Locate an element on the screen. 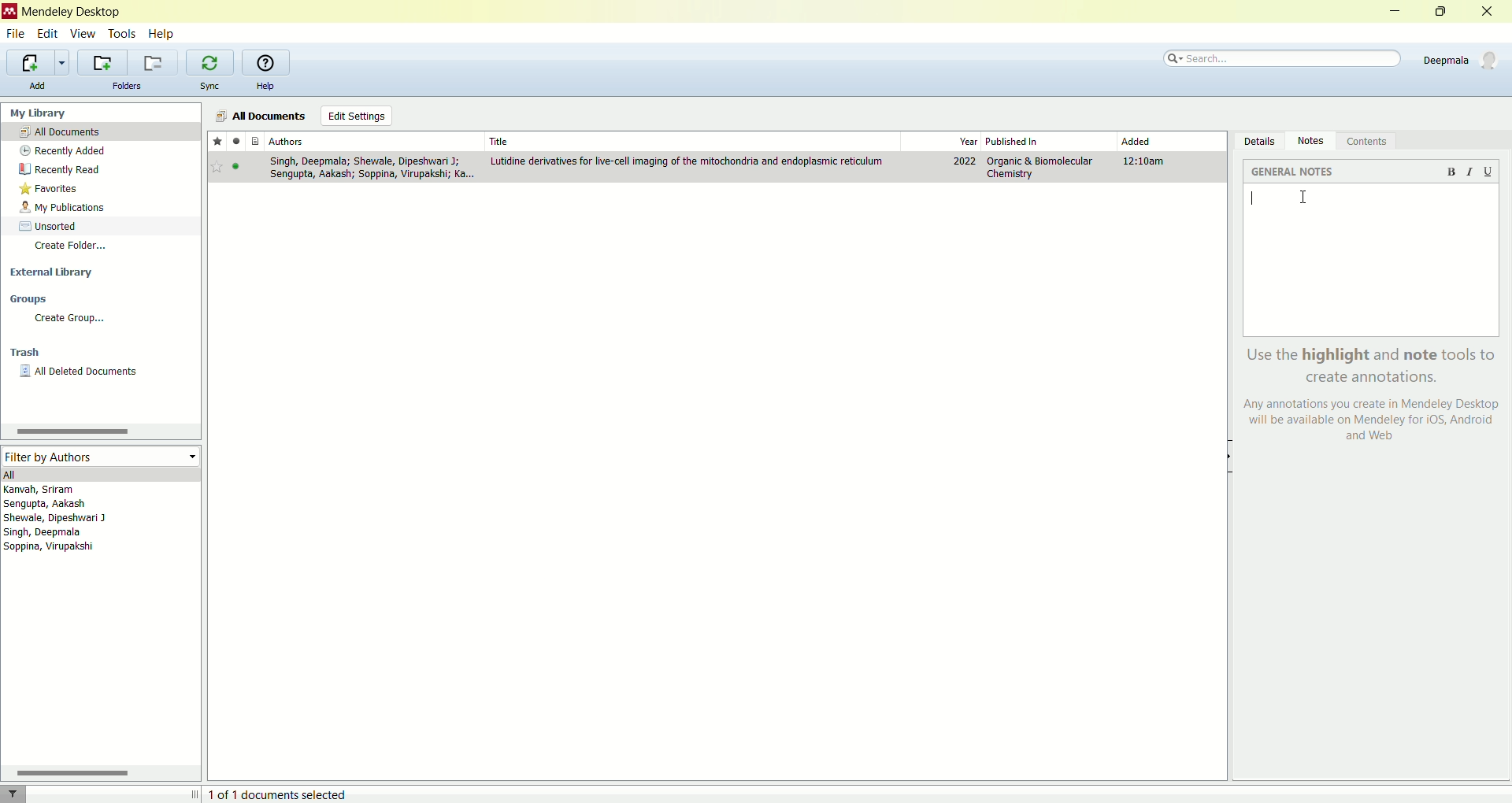 This screenshot has width=1512, height=803. Kanvah, Sriram is located at coordinates (83, 489).